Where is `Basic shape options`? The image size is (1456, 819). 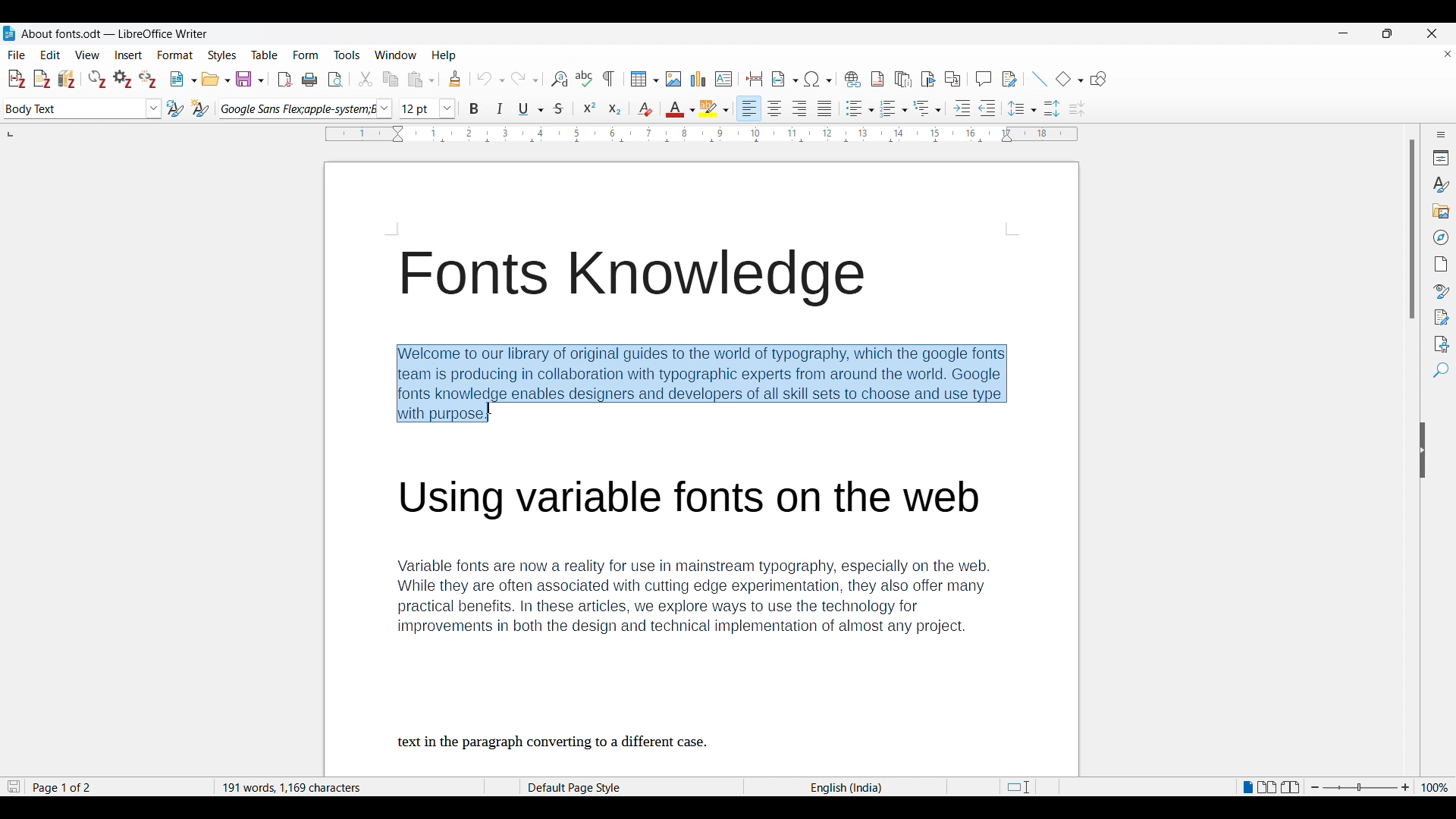 Basic shape options is located at coordinates (1070, 78).